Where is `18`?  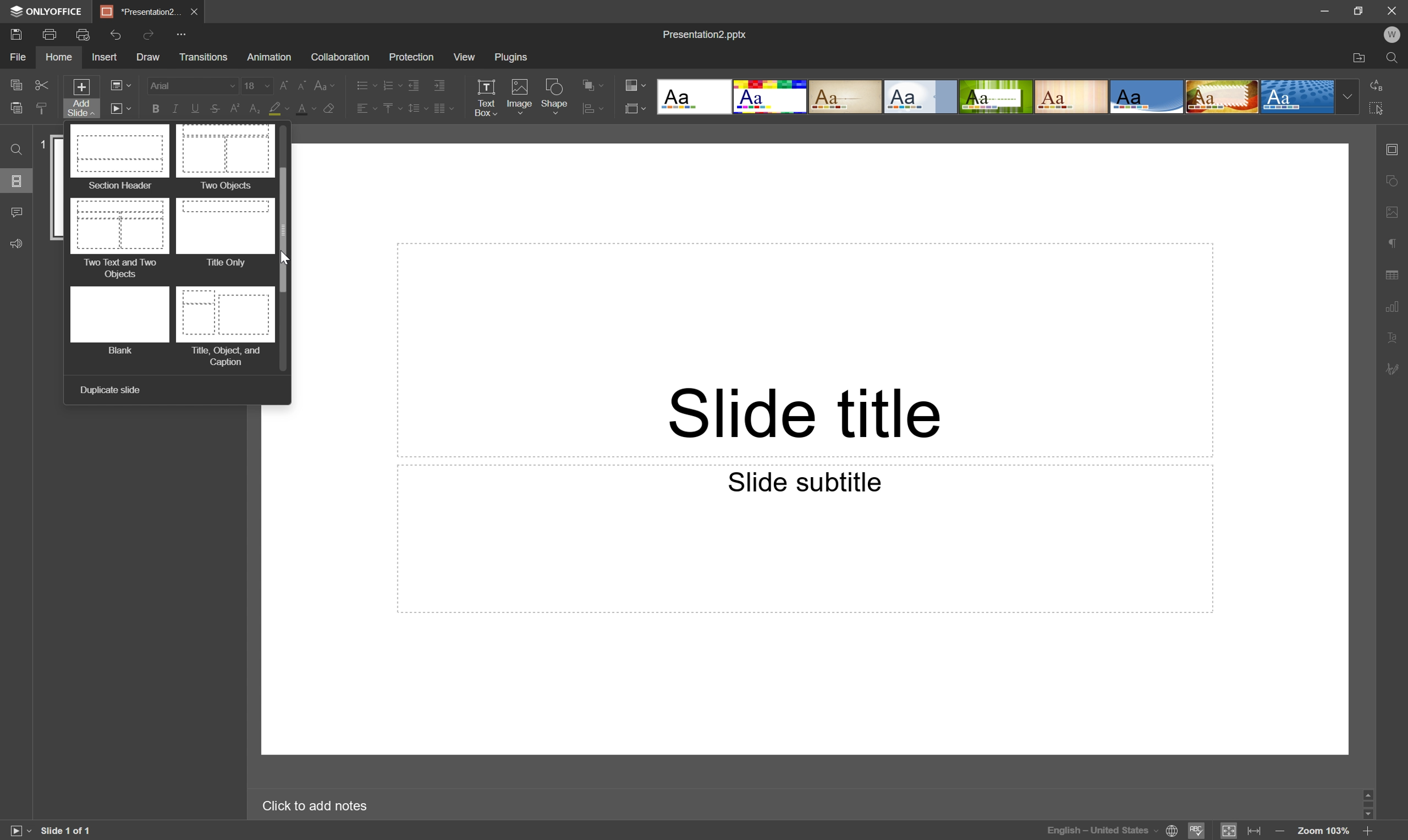
18 is located at coordinates (255, 83).